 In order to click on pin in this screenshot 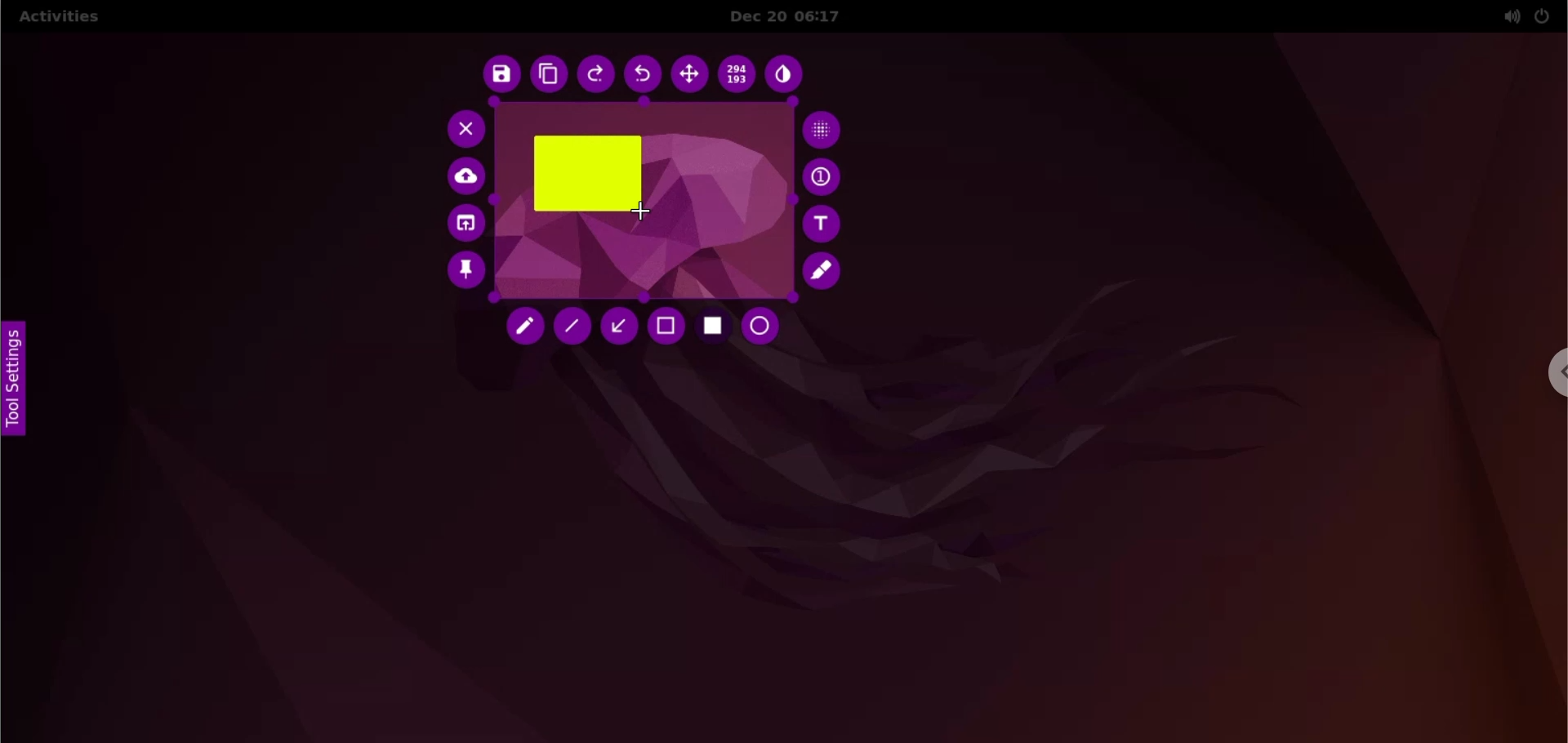, I will do `click(465, 274)`.